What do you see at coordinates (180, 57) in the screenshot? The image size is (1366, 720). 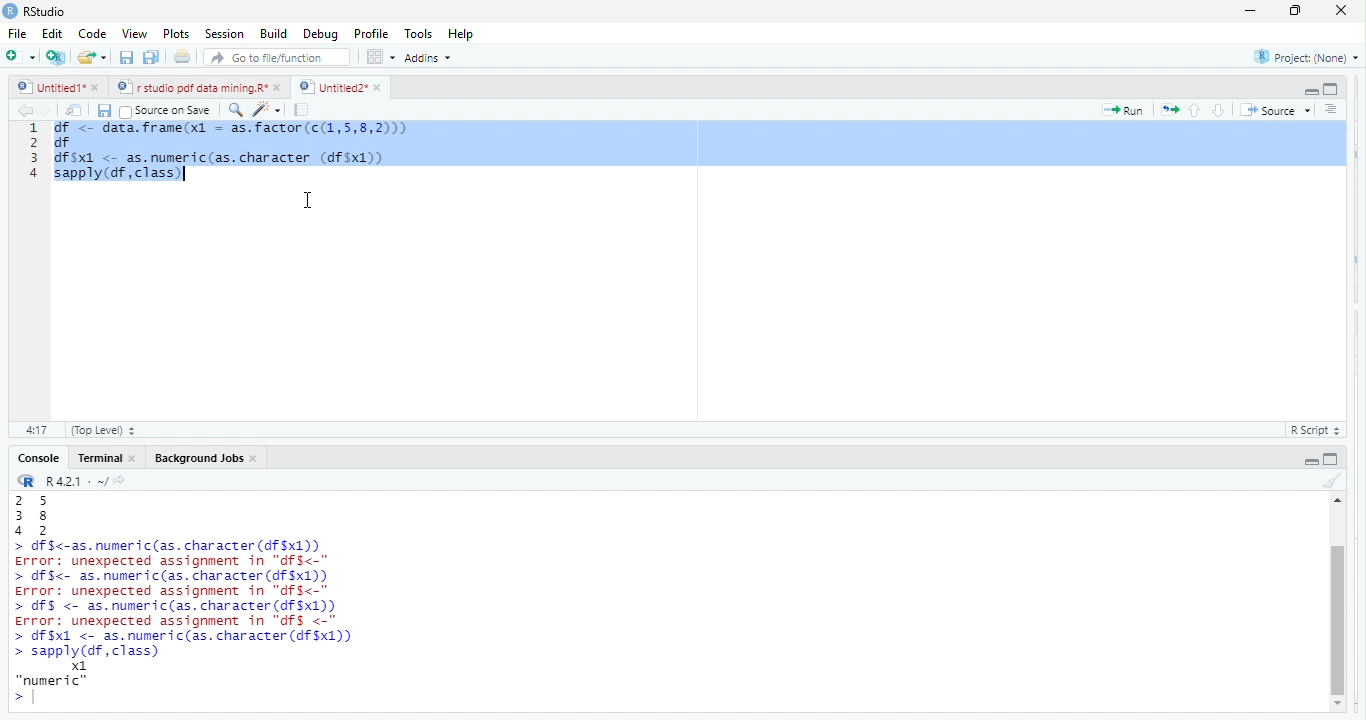 I see `print the current file` at bounding box center [180, 57].